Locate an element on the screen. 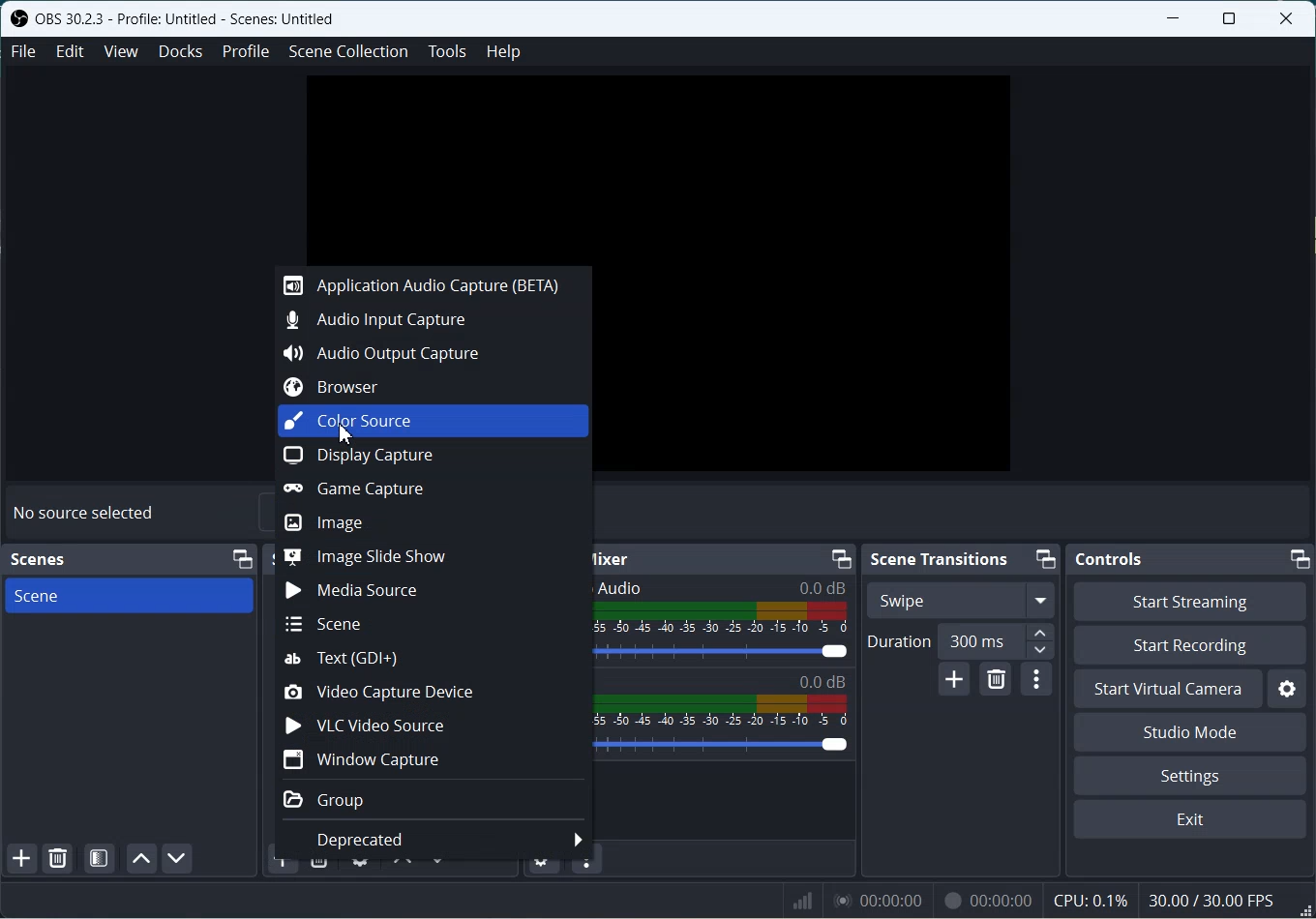  30.00 / 30.00 FPS is located at coordinates (1213, 900).